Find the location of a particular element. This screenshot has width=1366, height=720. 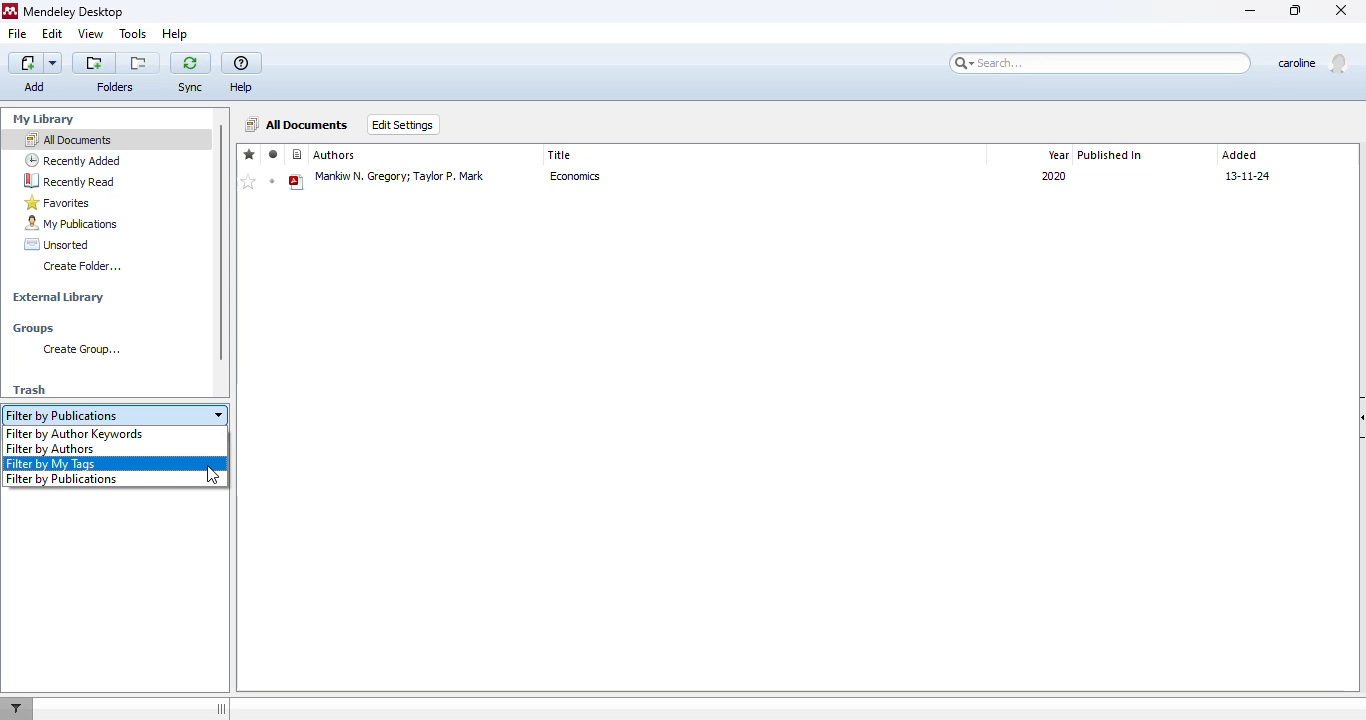

minimize is located at coordinates (1252, 12).